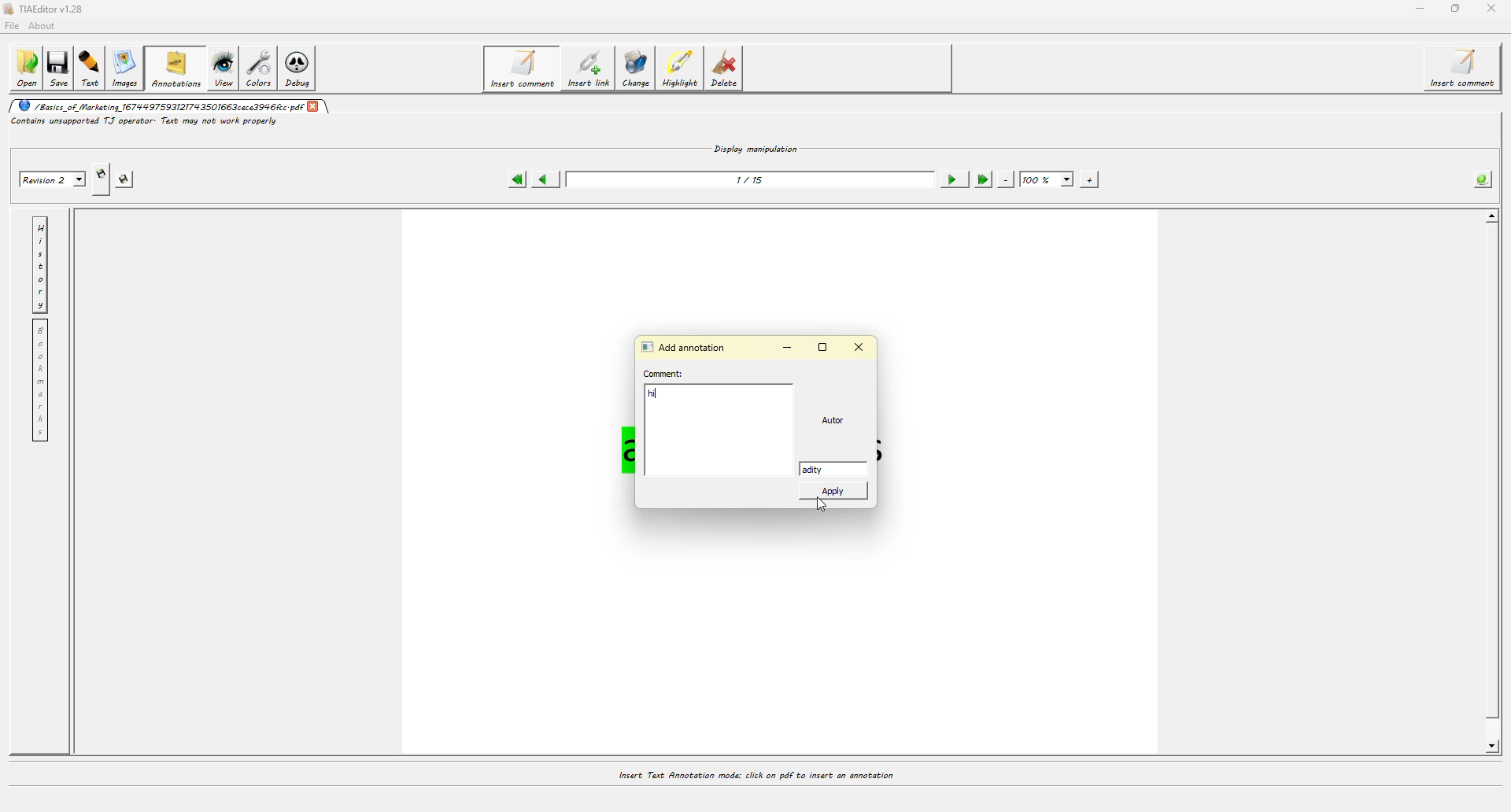  I want to click on maximize, so click(1456, 8).